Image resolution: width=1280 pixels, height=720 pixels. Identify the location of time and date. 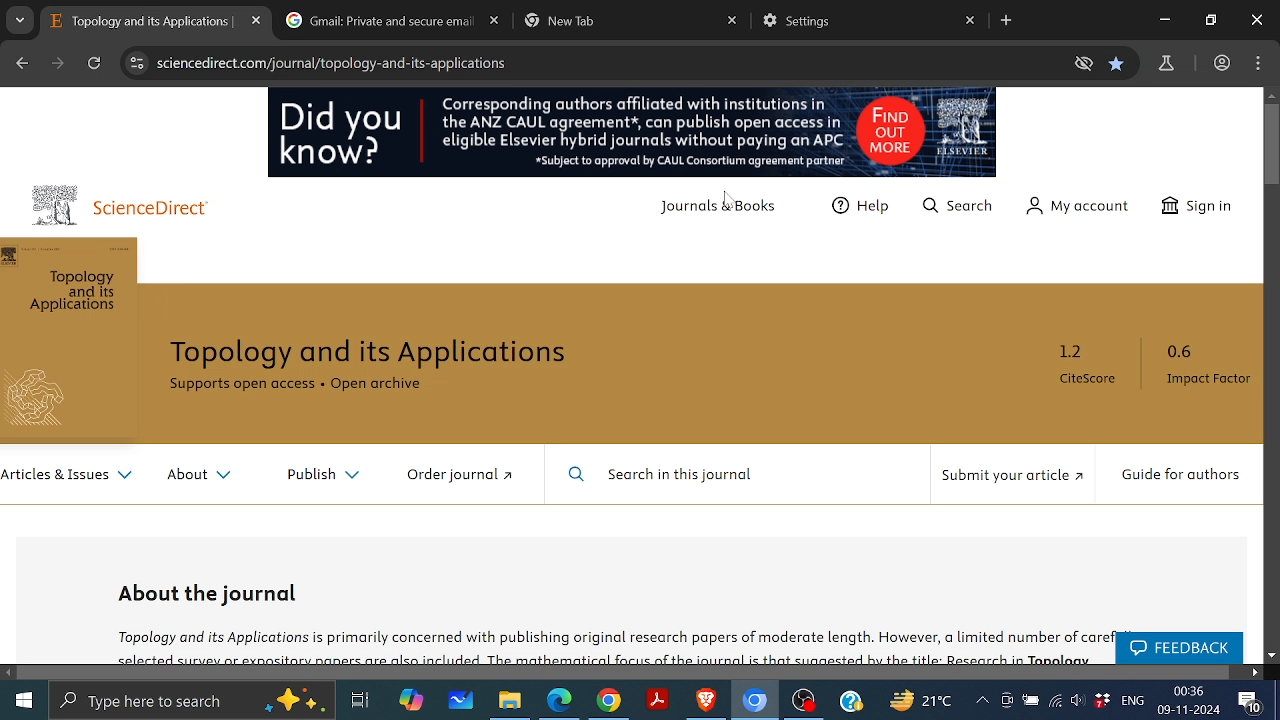
(1190, 701).